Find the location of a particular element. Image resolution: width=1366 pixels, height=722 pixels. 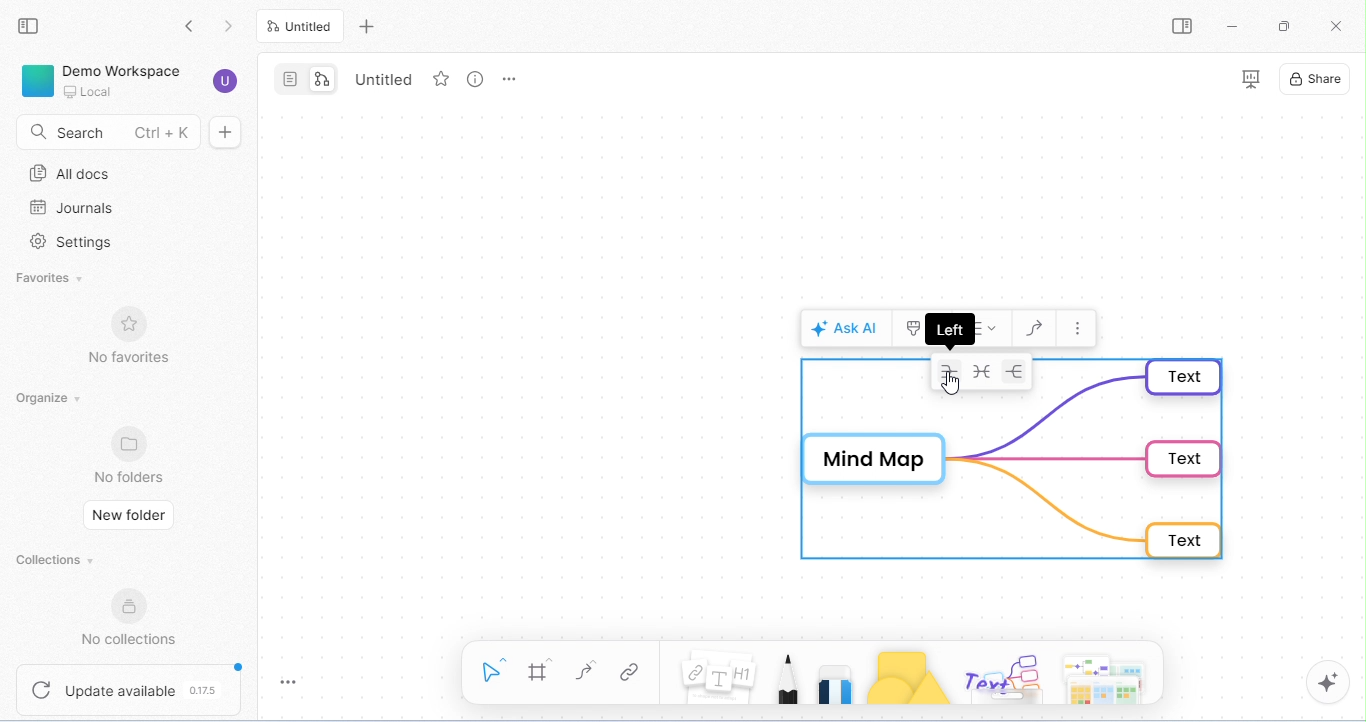

draw connectors is located at coordinates (1039, 327).